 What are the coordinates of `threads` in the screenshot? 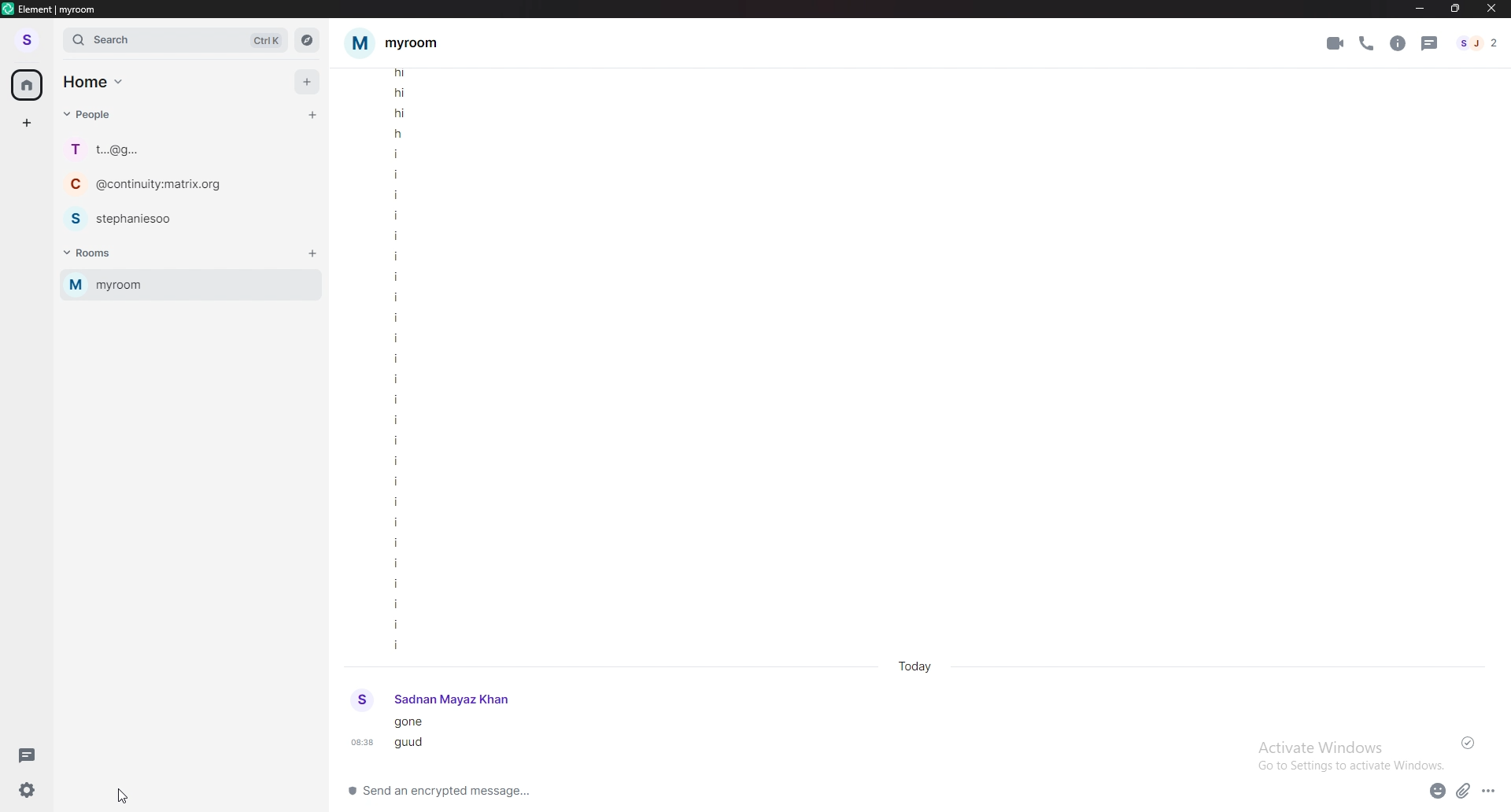 It's located at (25, 754).